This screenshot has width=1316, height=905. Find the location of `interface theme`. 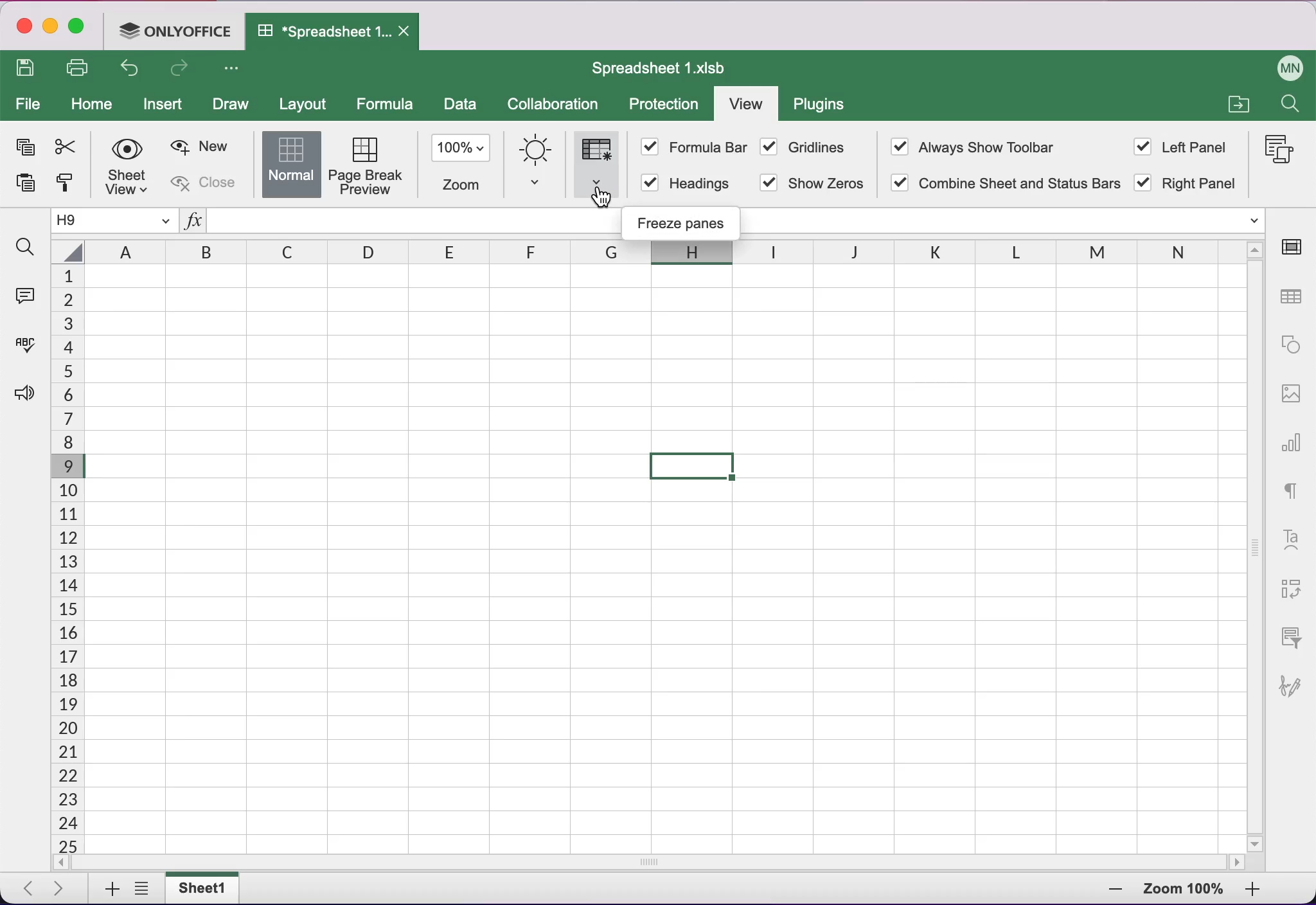

interface theme is located at coordinates (537, 164).